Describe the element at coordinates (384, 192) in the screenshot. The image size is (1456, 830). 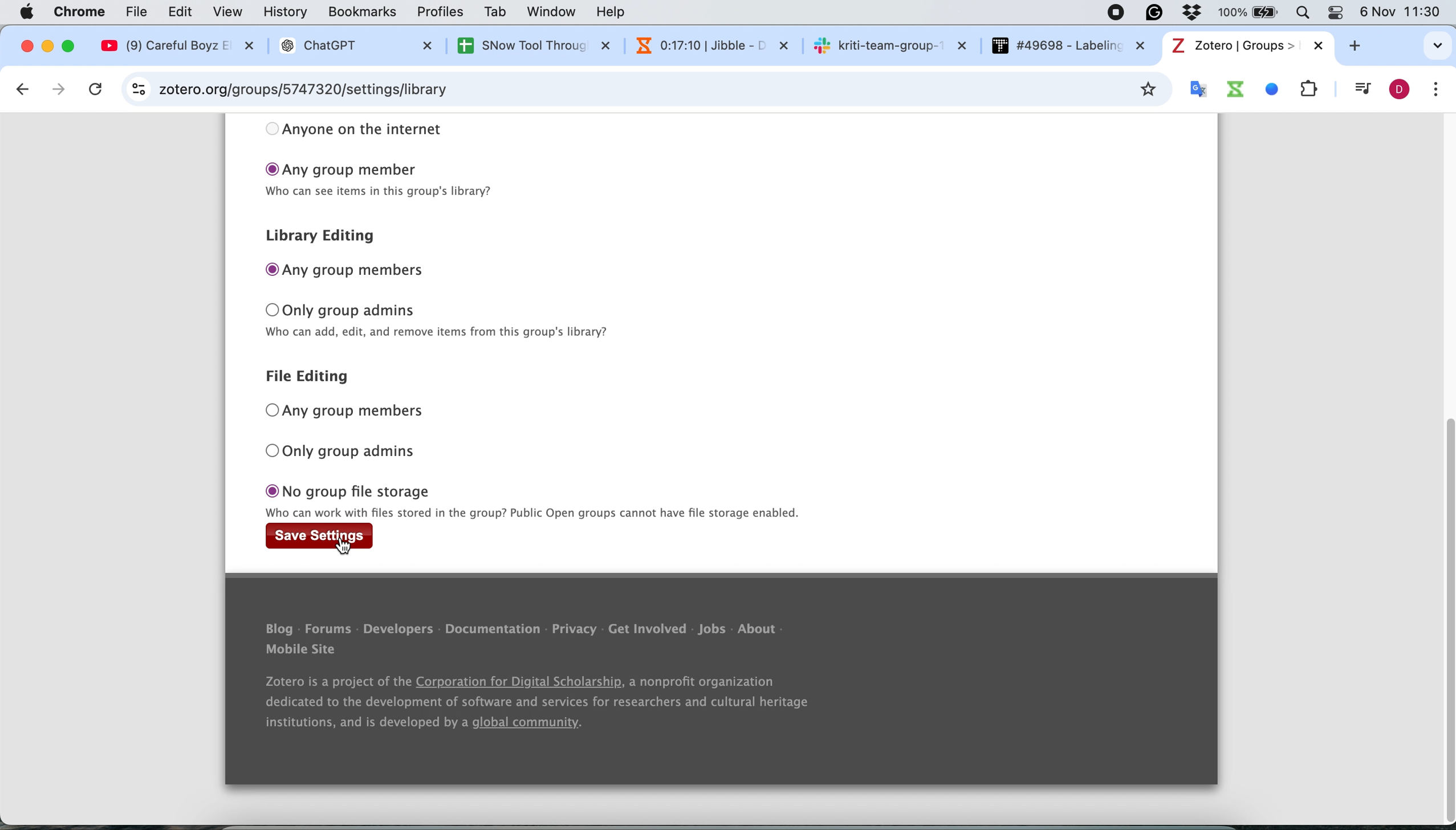
I see `text` at that location.